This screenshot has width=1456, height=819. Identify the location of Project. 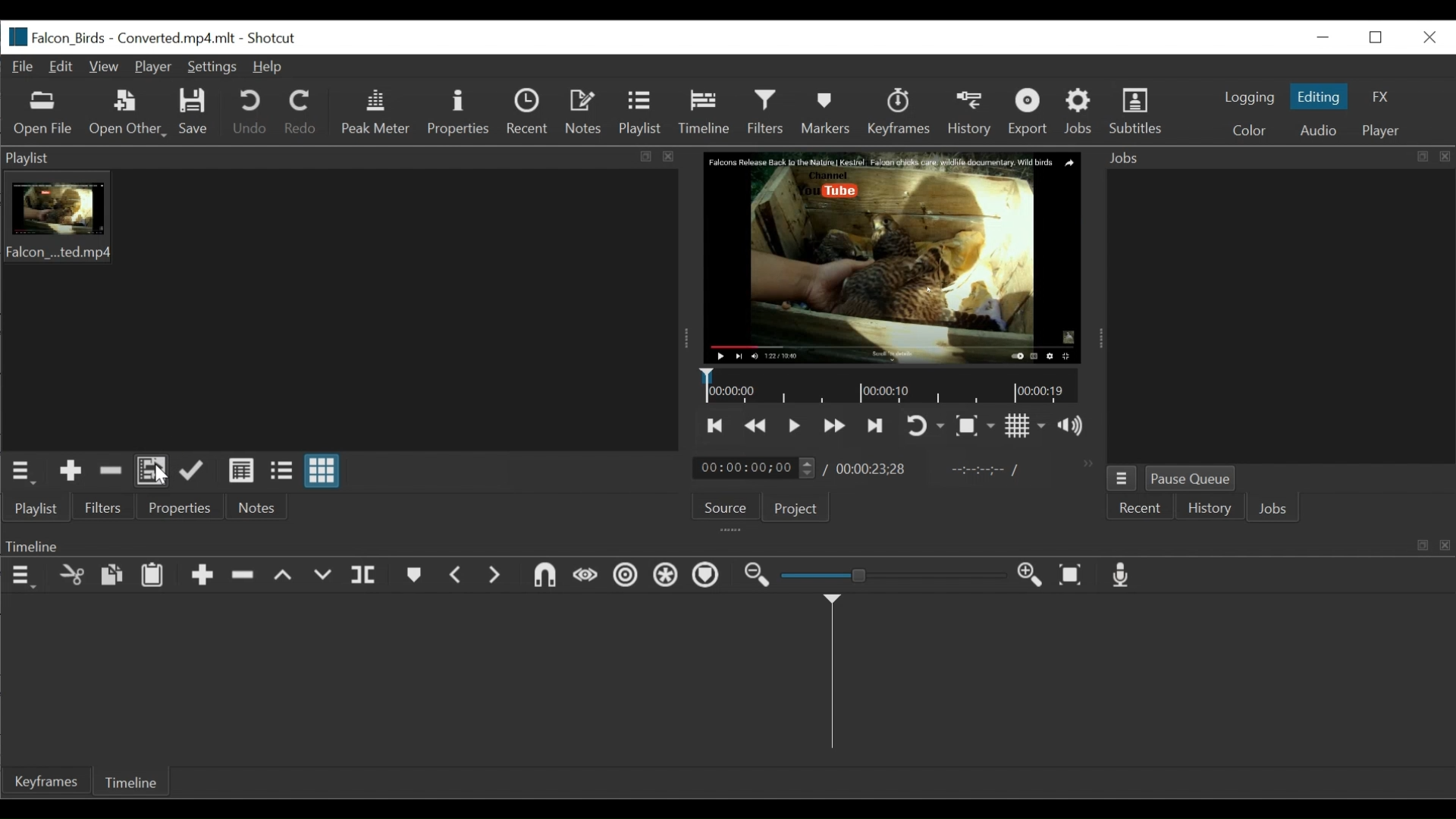
(799, 508).